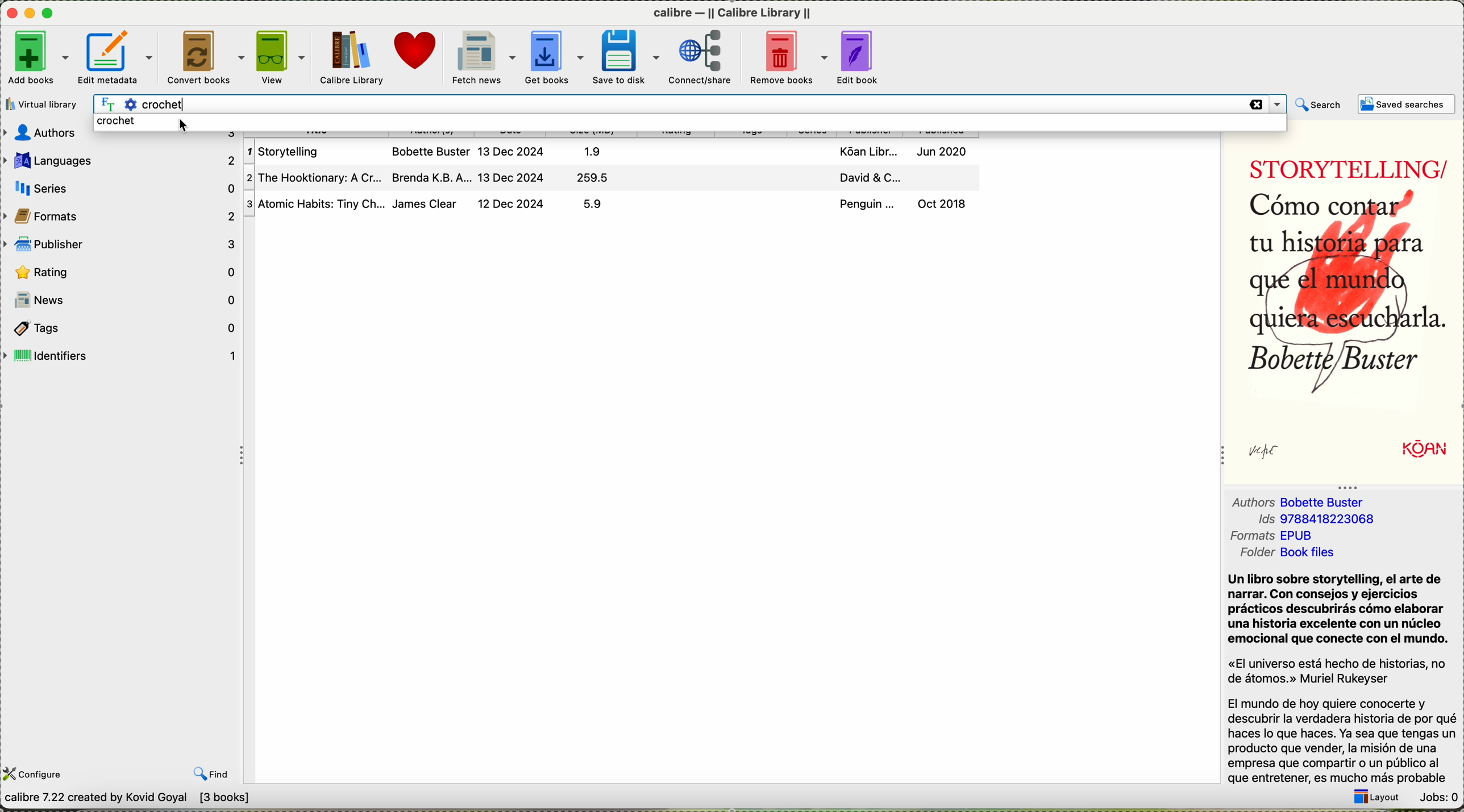  I want to click on sign, so click(1275, 452).